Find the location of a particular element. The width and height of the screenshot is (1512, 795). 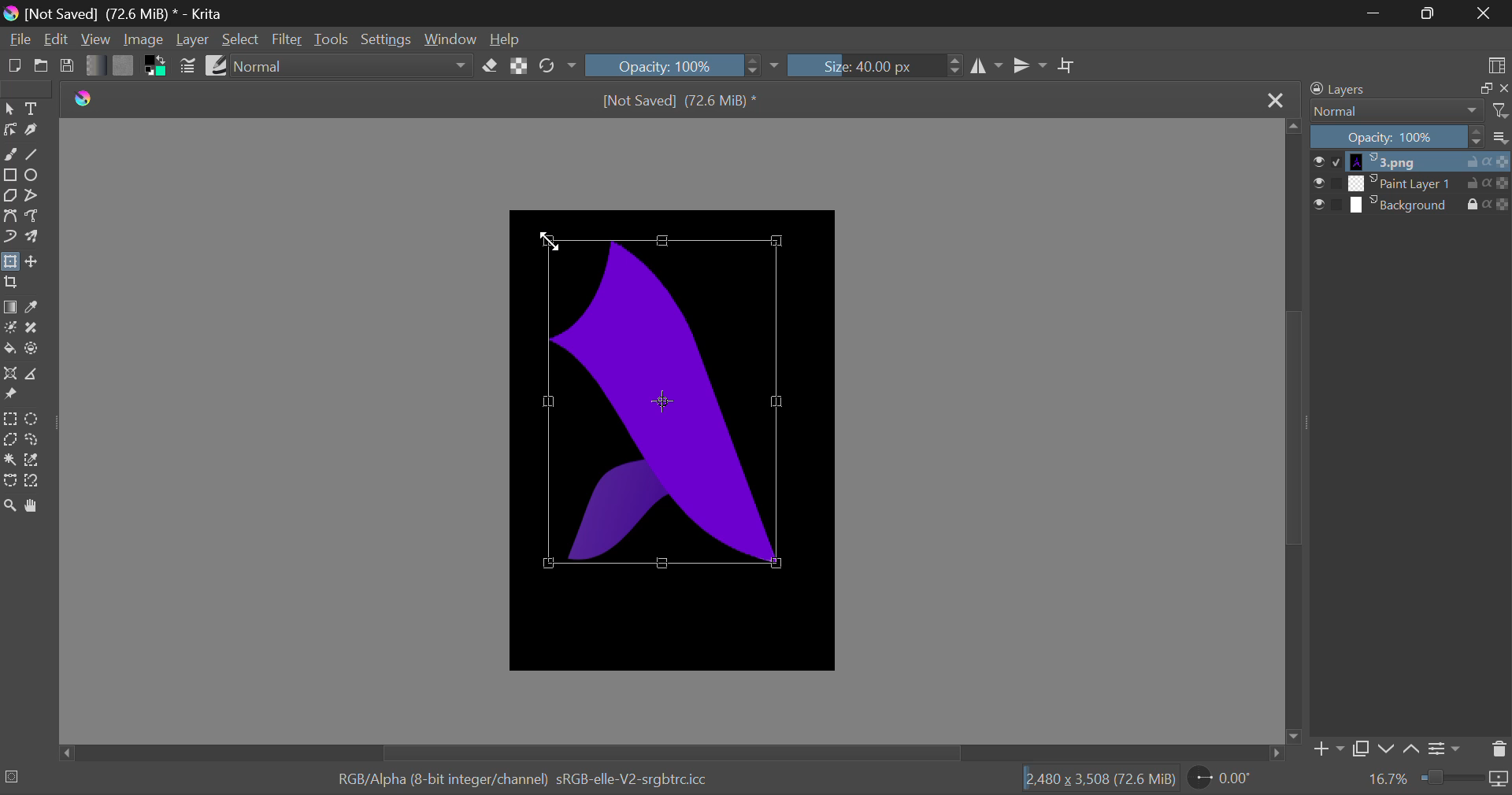

Image is located at coordinates (146, 41).